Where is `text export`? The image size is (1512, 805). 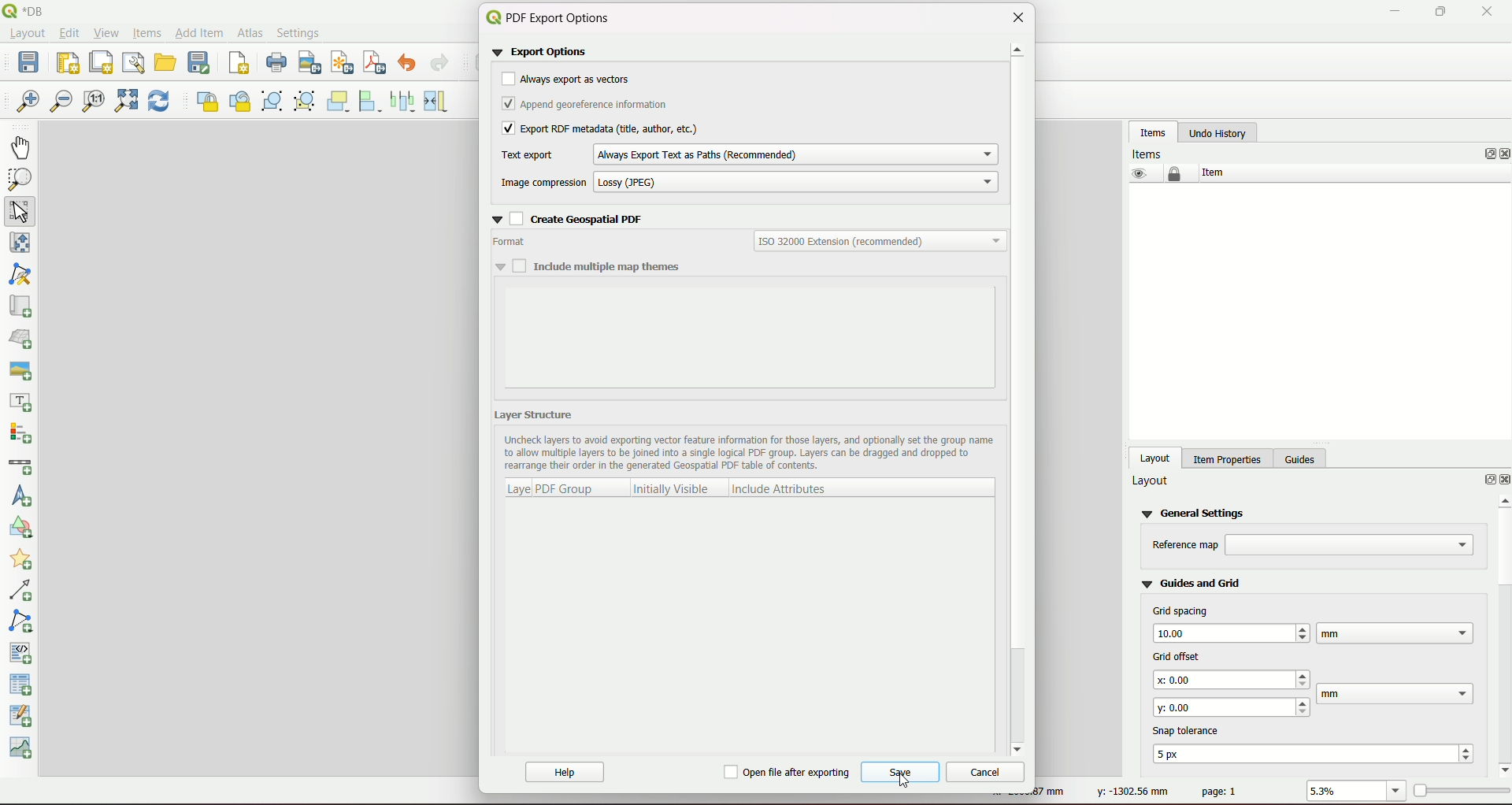 text export is located at coordinates (525, 156).